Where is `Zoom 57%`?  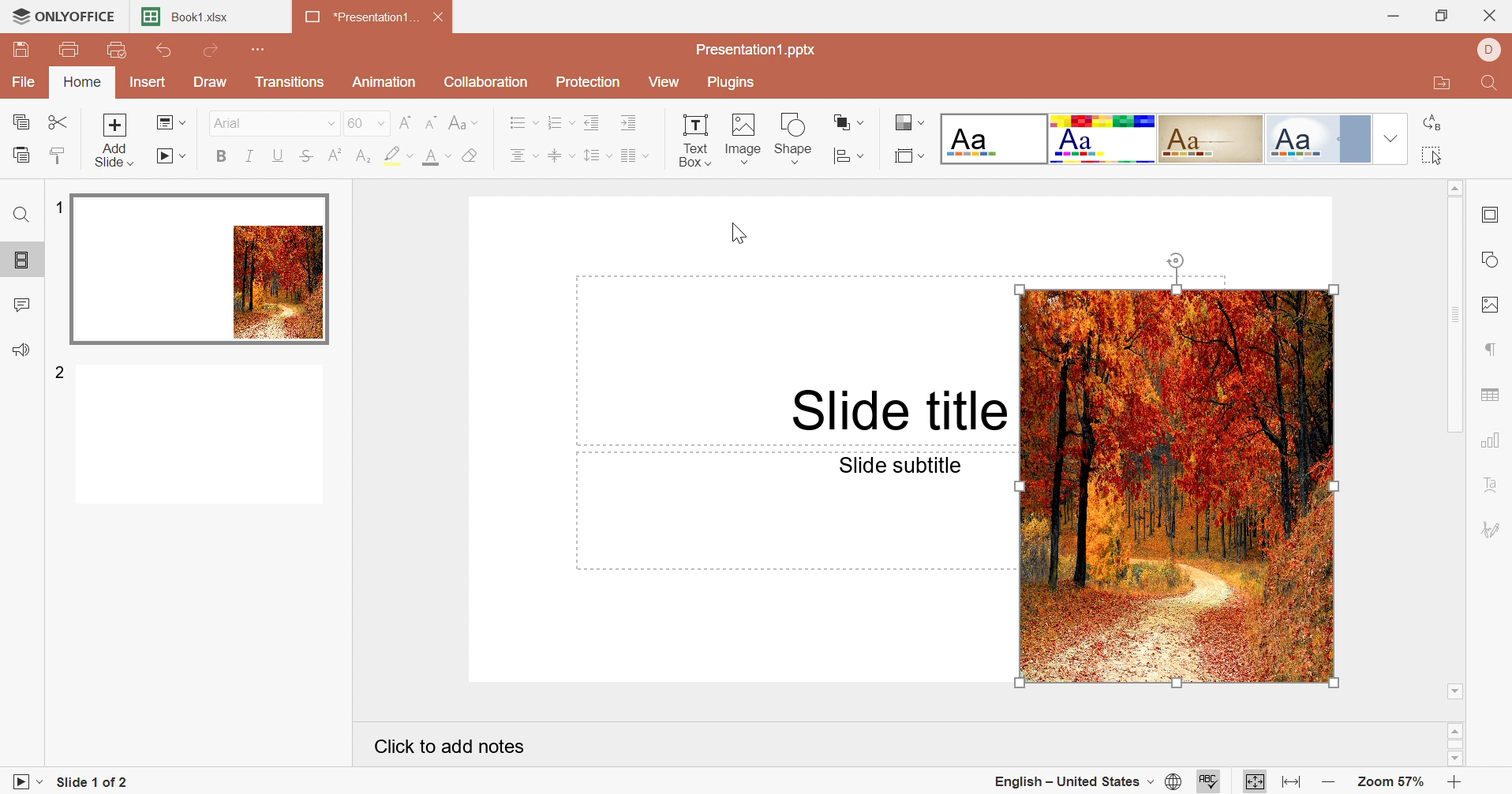 Zoom 57% is located at coordinates (1387, 781).